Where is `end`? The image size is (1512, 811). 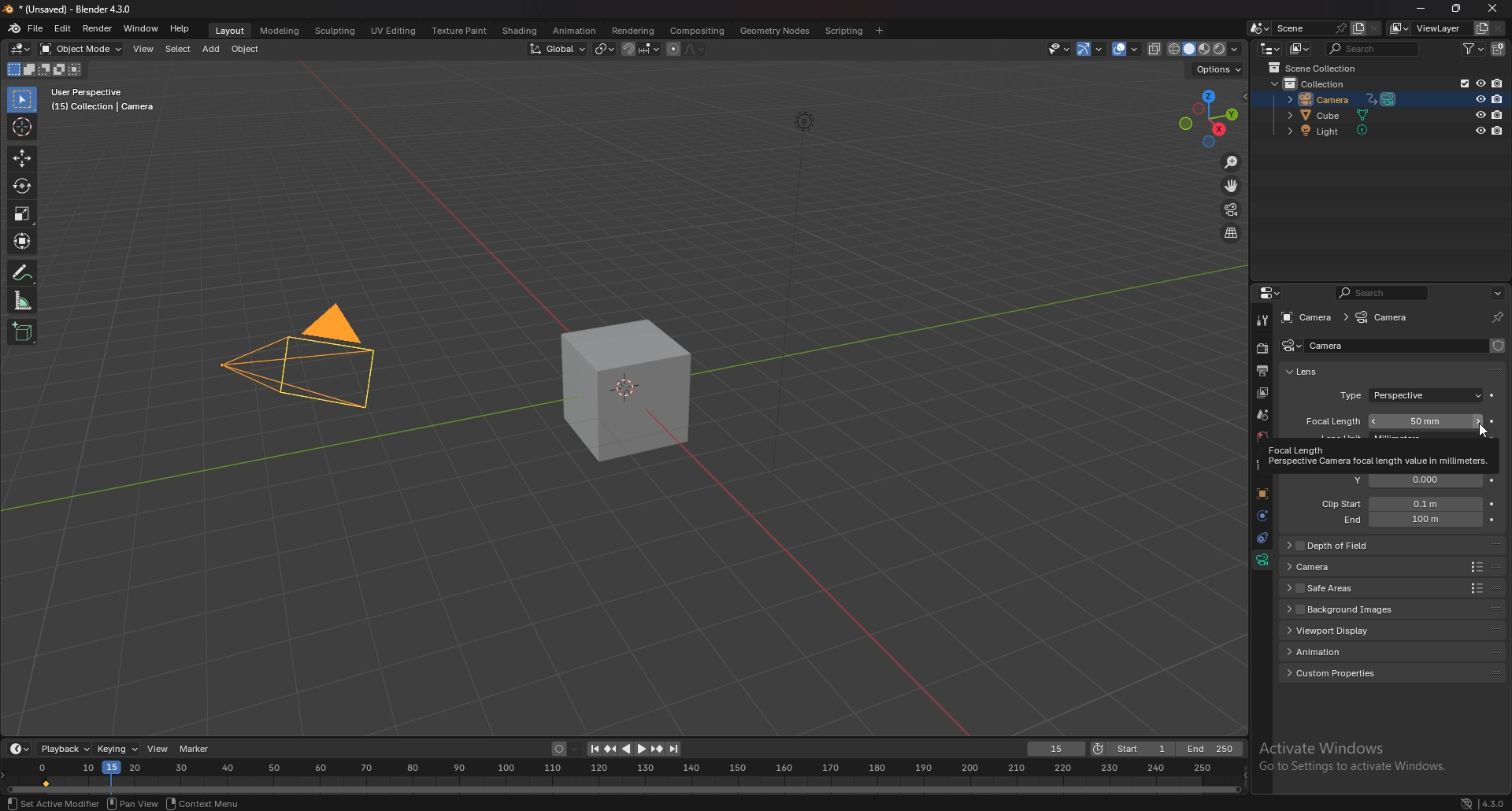 end is located at coordinates (1212, 749).